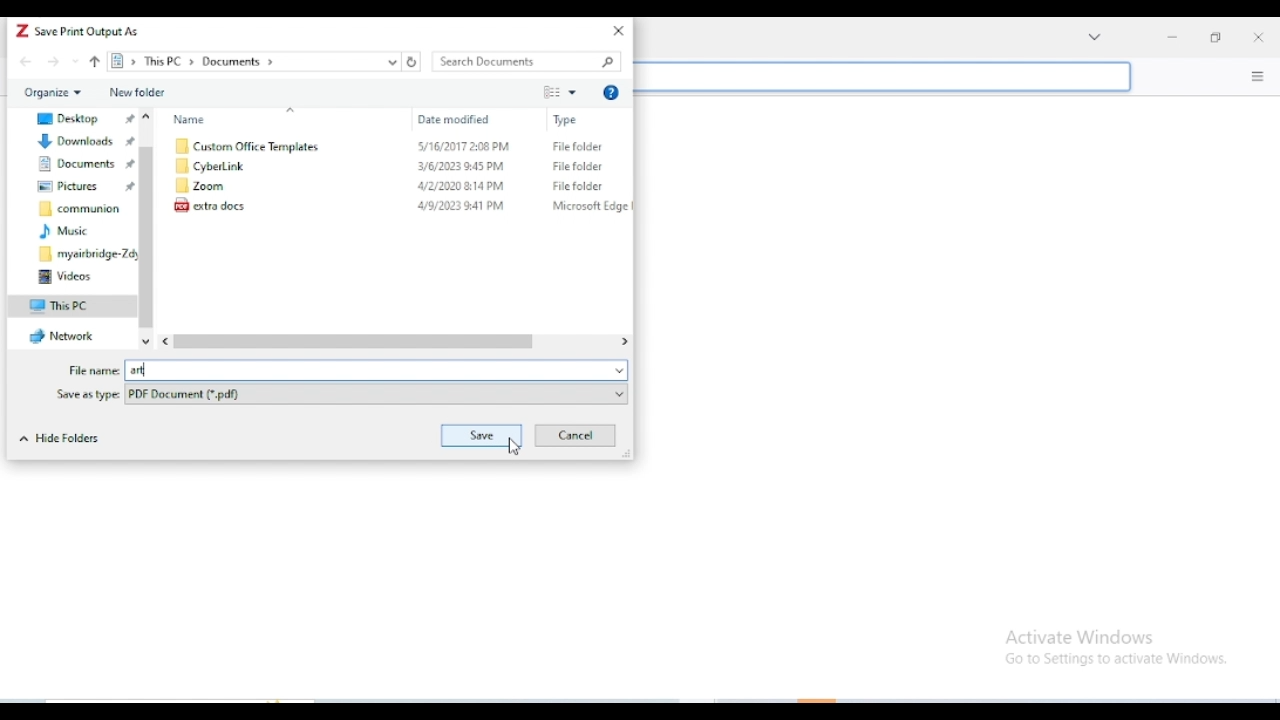 This screenshot has width=1280, height=720. Describe the element at coordinates (576, 435) in the screenshot. I see `cancel` at that location.